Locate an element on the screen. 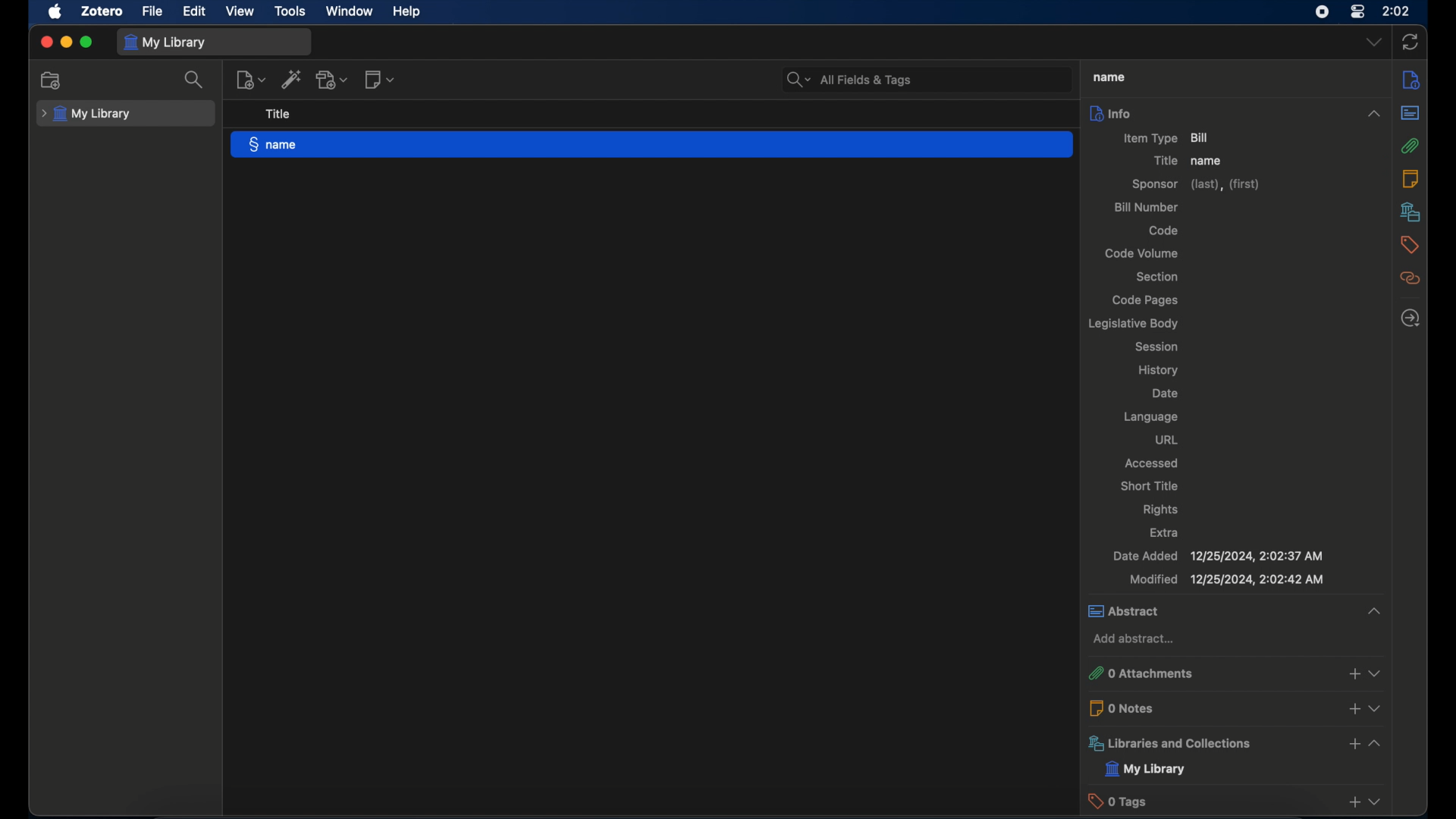  view is located at coordinates (241, 11).